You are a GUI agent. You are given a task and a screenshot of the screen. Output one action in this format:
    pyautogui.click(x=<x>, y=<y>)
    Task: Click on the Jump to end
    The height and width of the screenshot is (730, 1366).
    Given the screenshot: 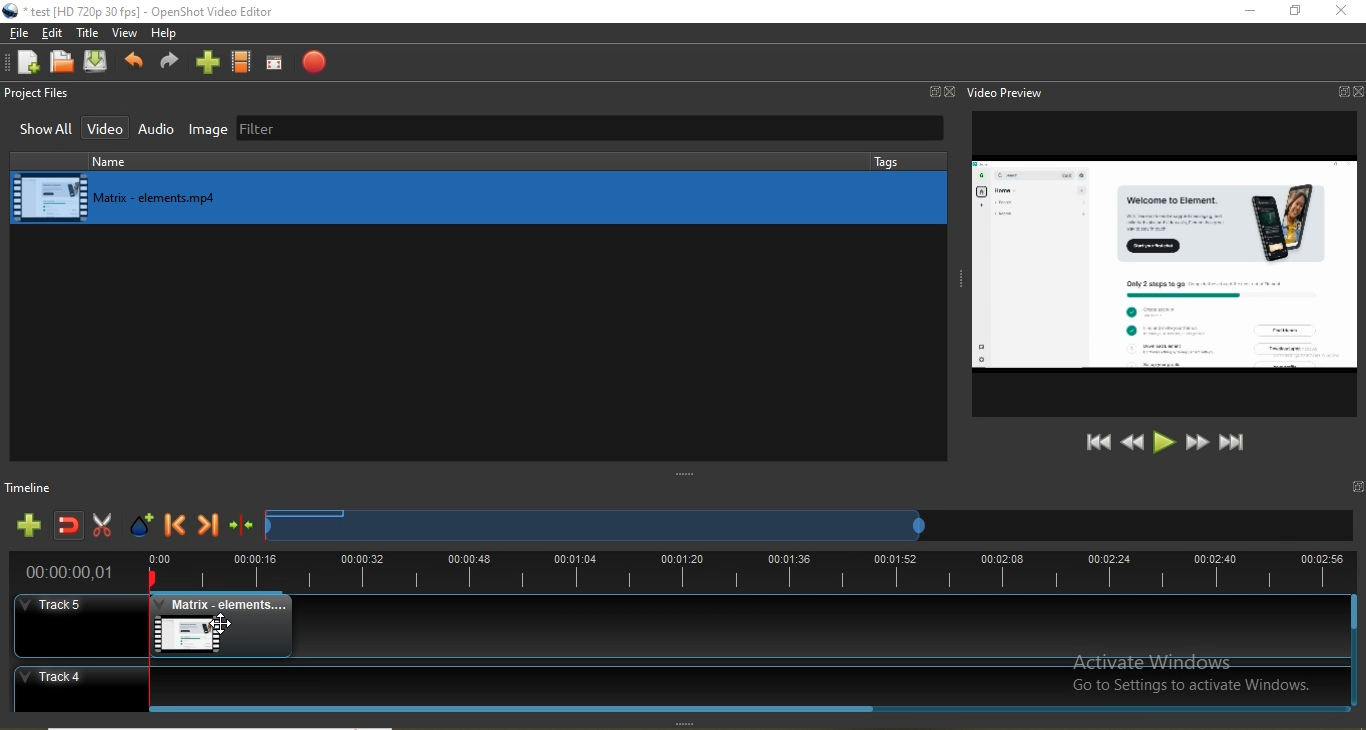 What is the action you would take?
    pyautogui.click(x=1233, y=444)
    